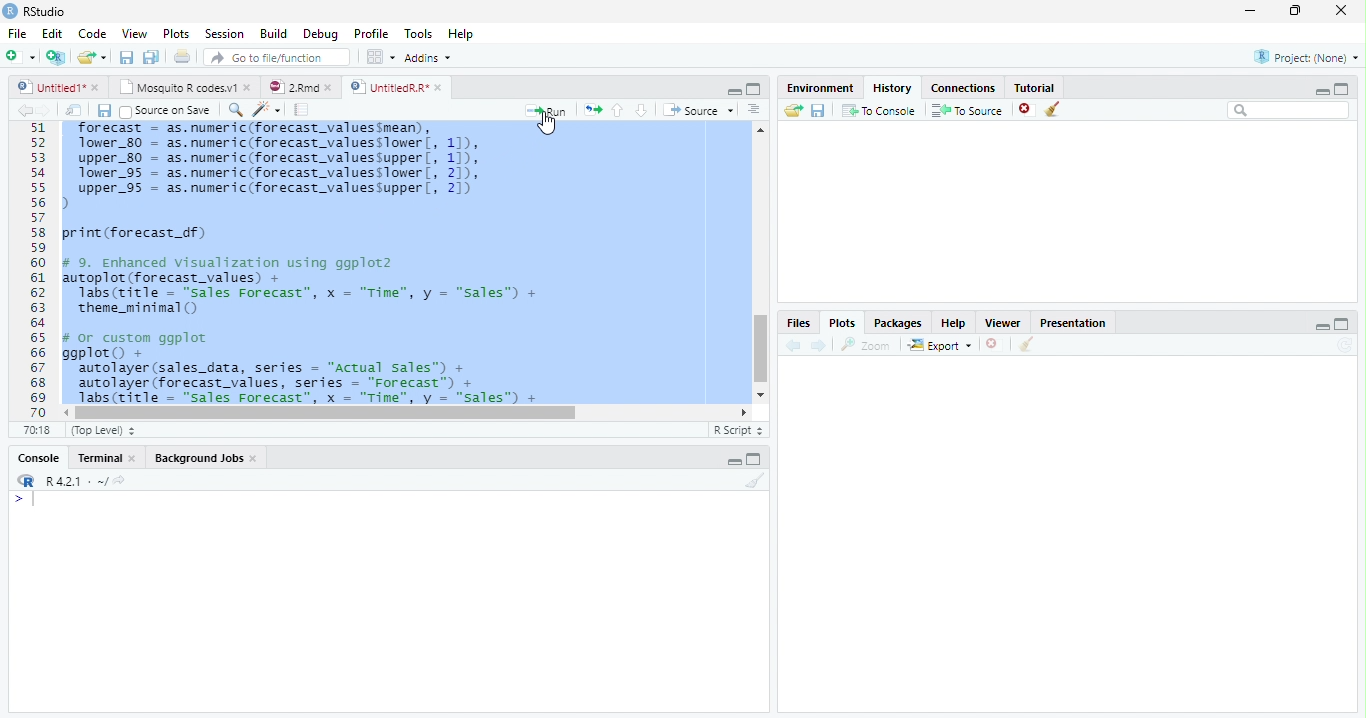 The width and height of the screenshot is (1366, 718). What do you see at coordinates (963, 88) in the screenshot?
I see `Connections` at bounding box center [963, 88].